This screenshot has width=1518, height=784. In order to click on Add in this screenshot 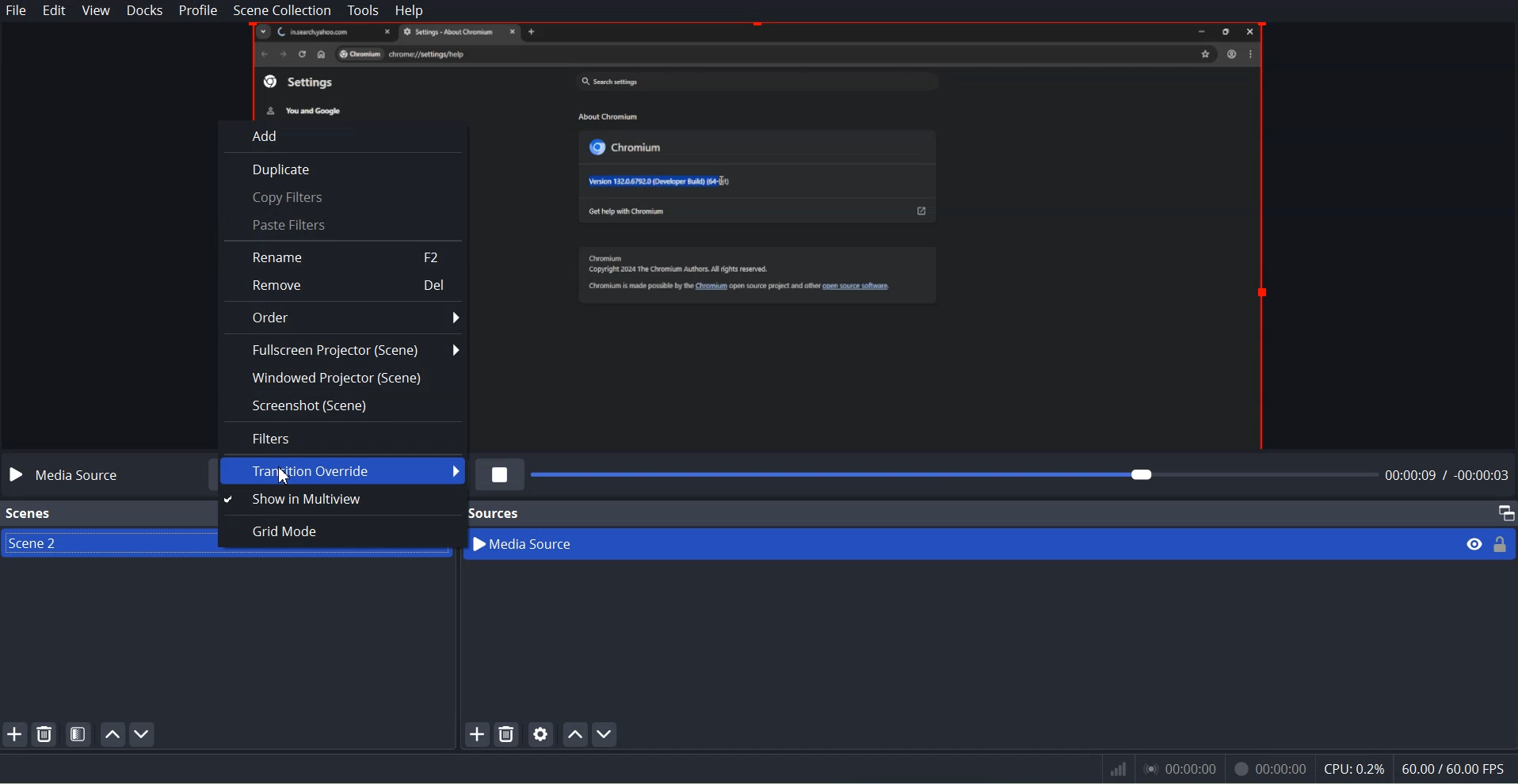, I will do `click(345, 135)`.